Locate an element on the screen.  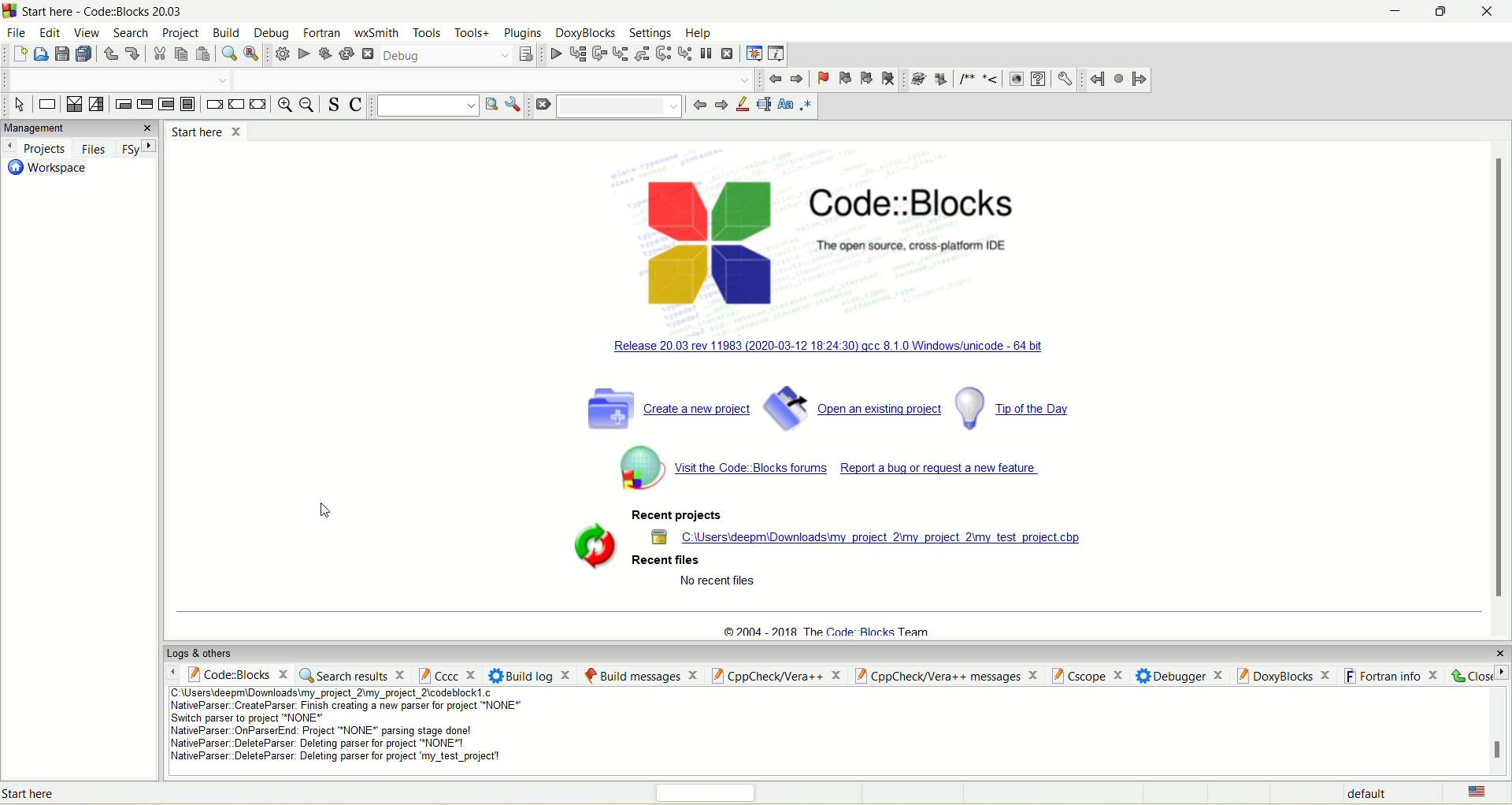
zoom out is located at coordinates (309, 105).